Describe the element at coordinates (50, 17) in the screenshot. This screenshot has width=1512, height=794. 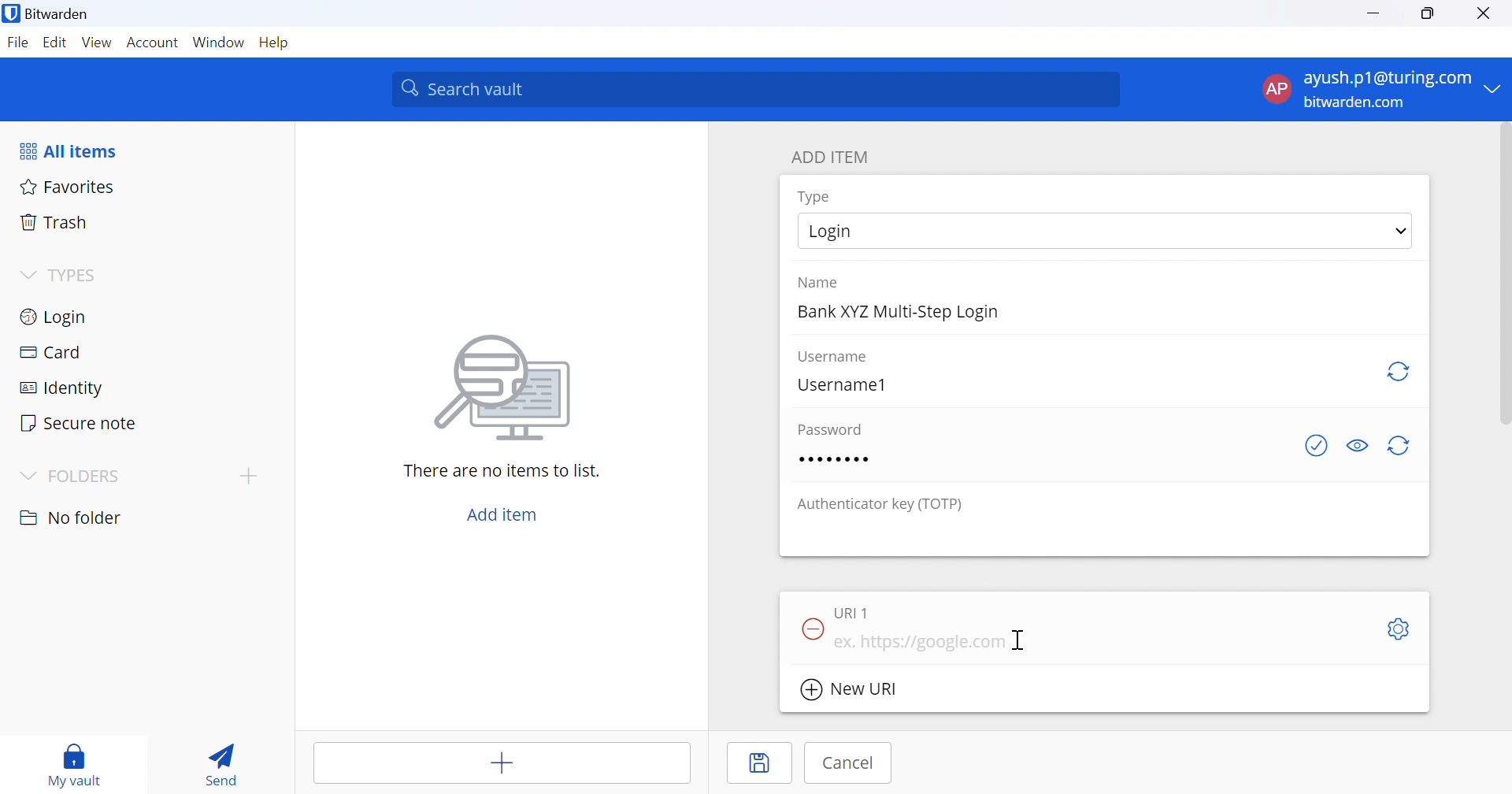
I see `Bitwarden` at that location.